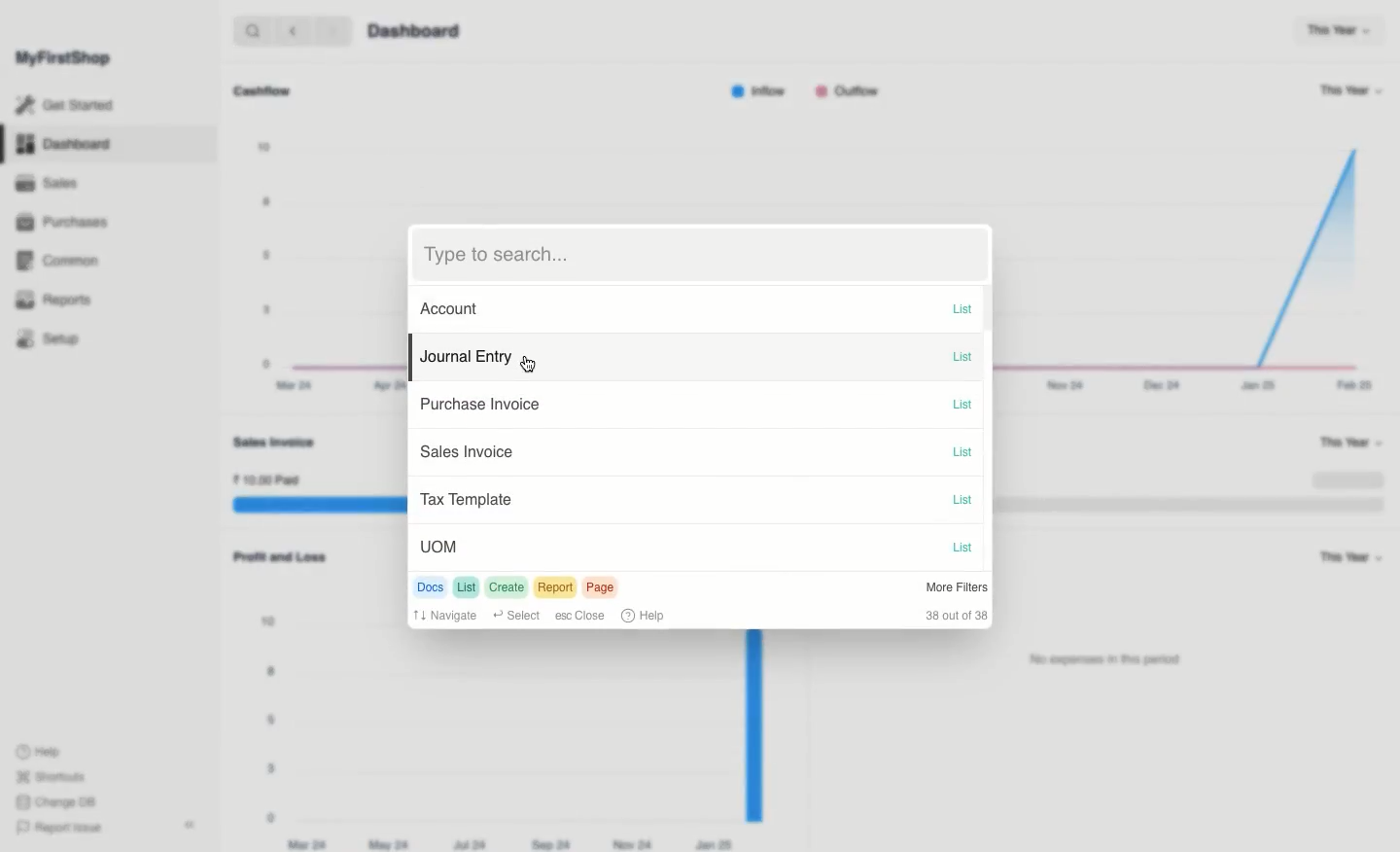  Describe the element at coordinates (446, 615) in the screenshot. I see `Navigate` at that location.